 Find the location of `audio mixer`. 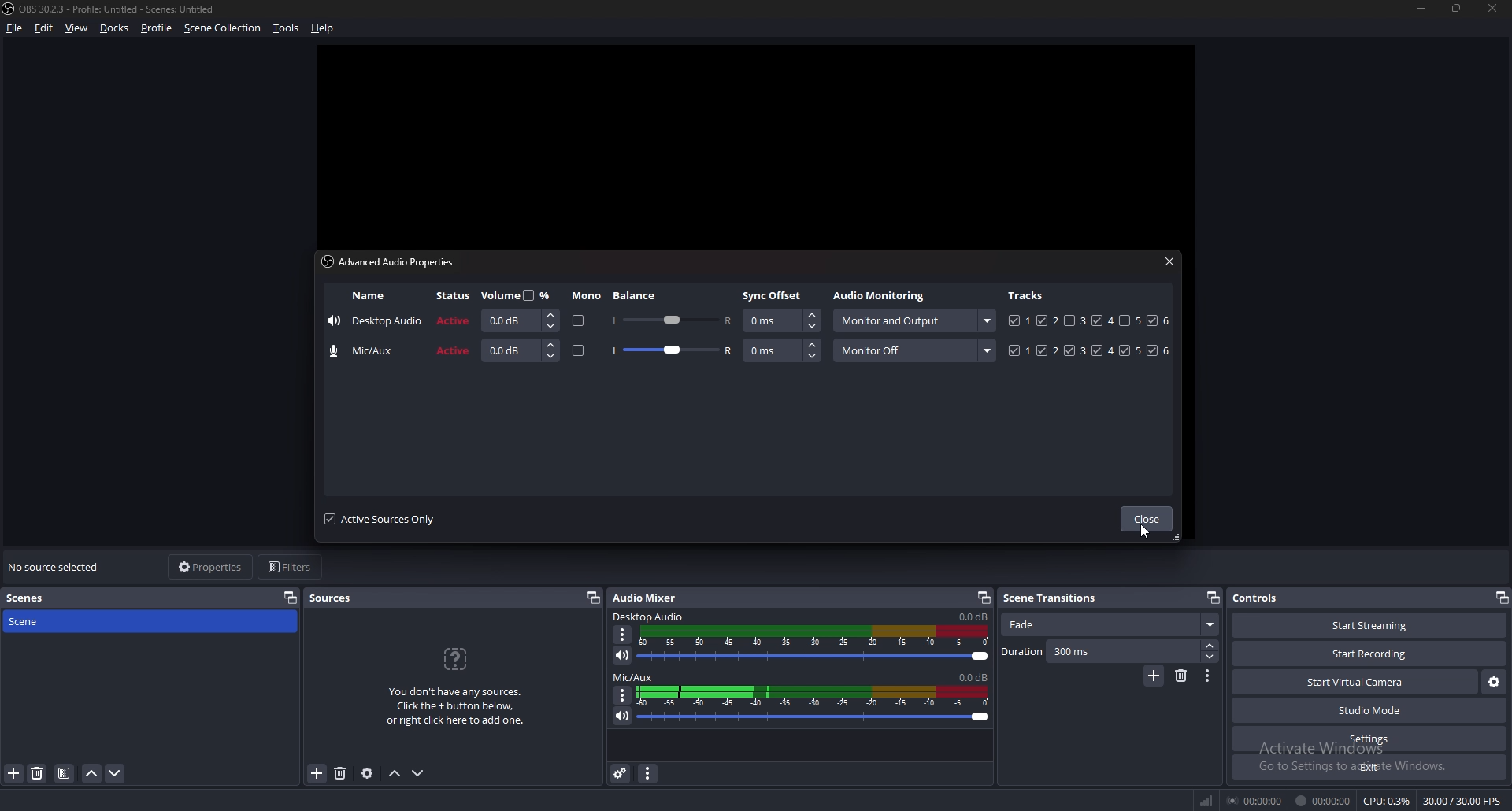

audio mixer is located at coordinates (648, 598).